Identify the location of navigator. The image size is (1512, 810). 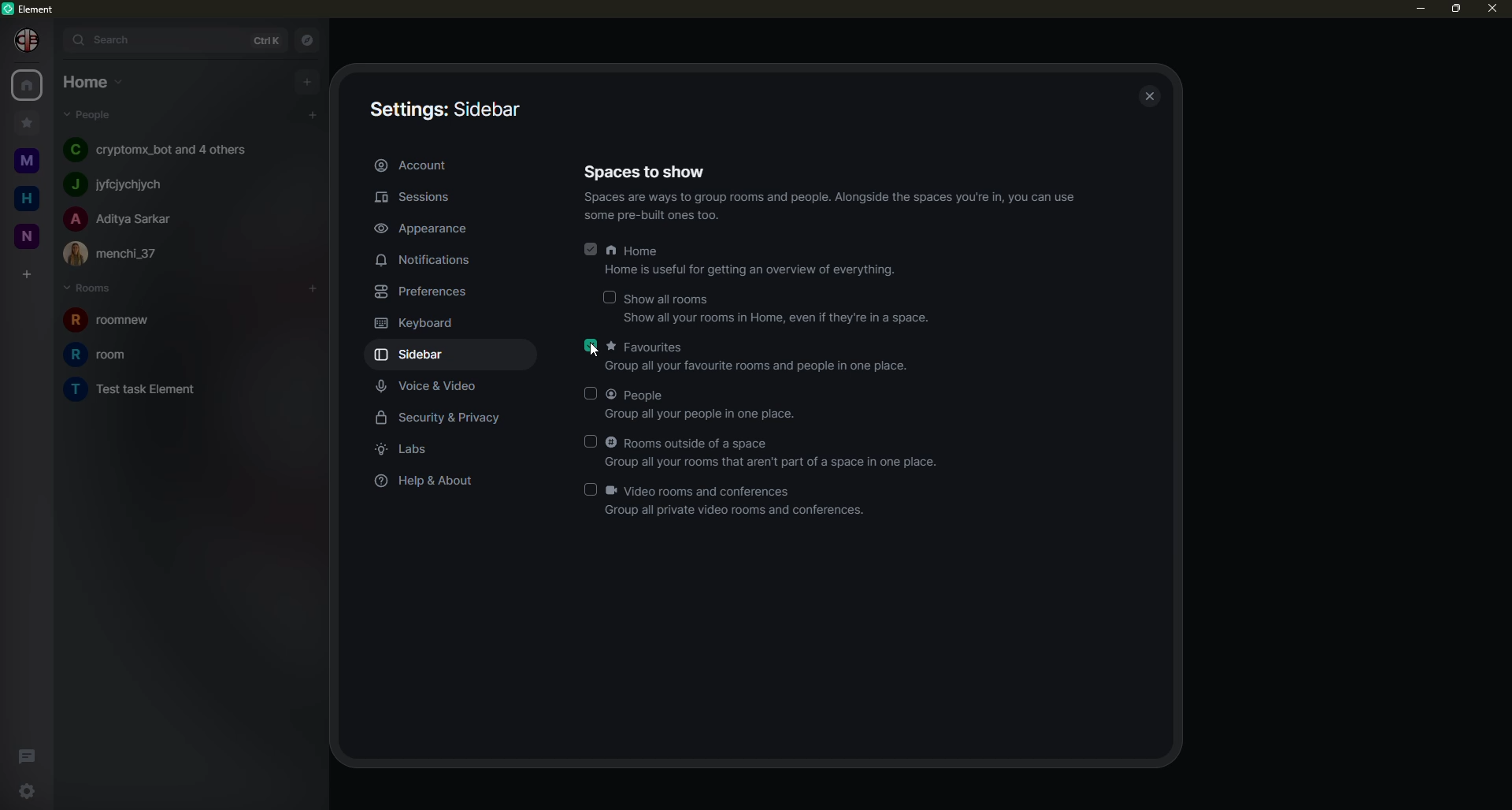
(310, 39).